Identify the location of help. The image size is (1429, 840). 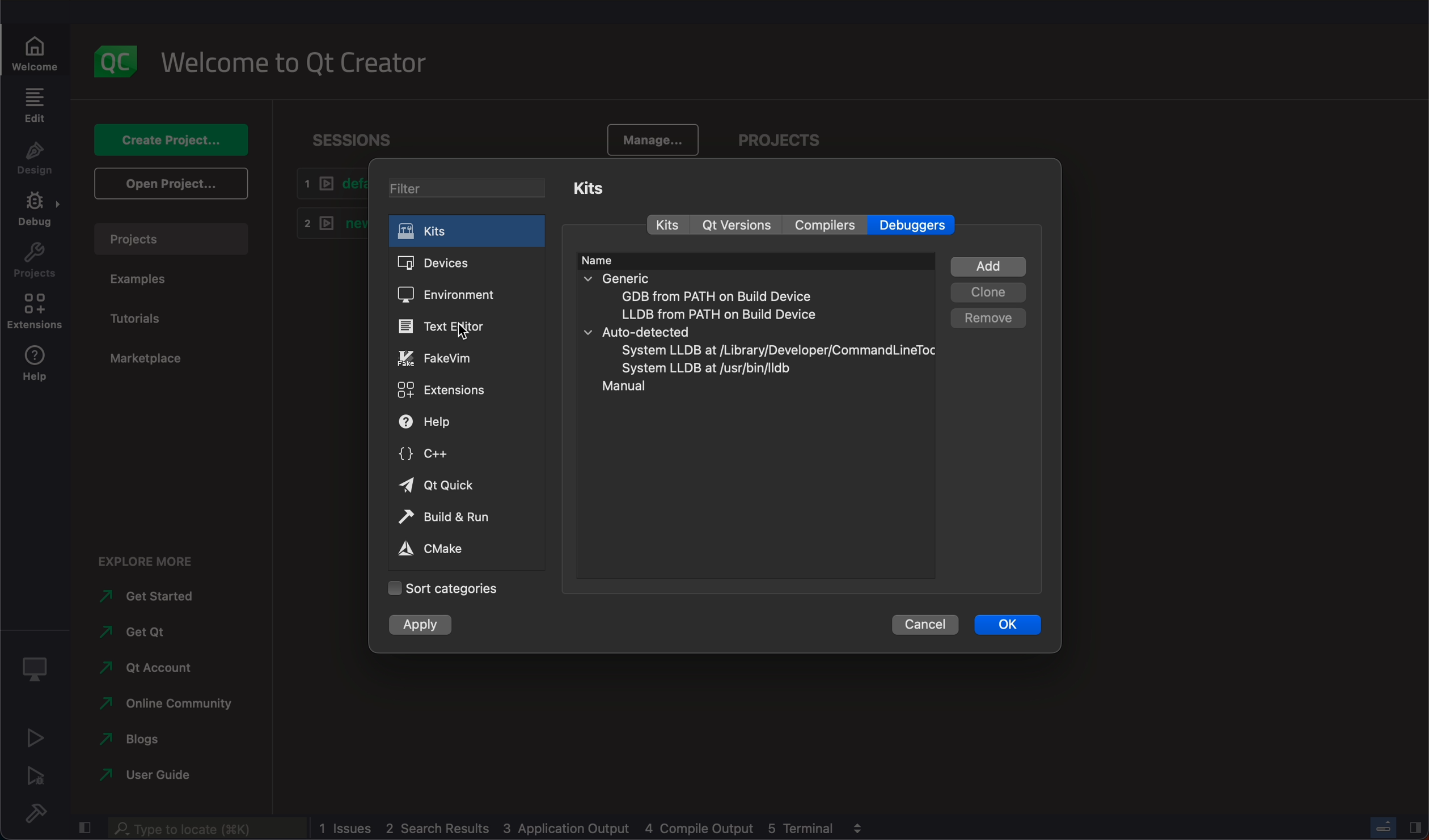
(39, 369).